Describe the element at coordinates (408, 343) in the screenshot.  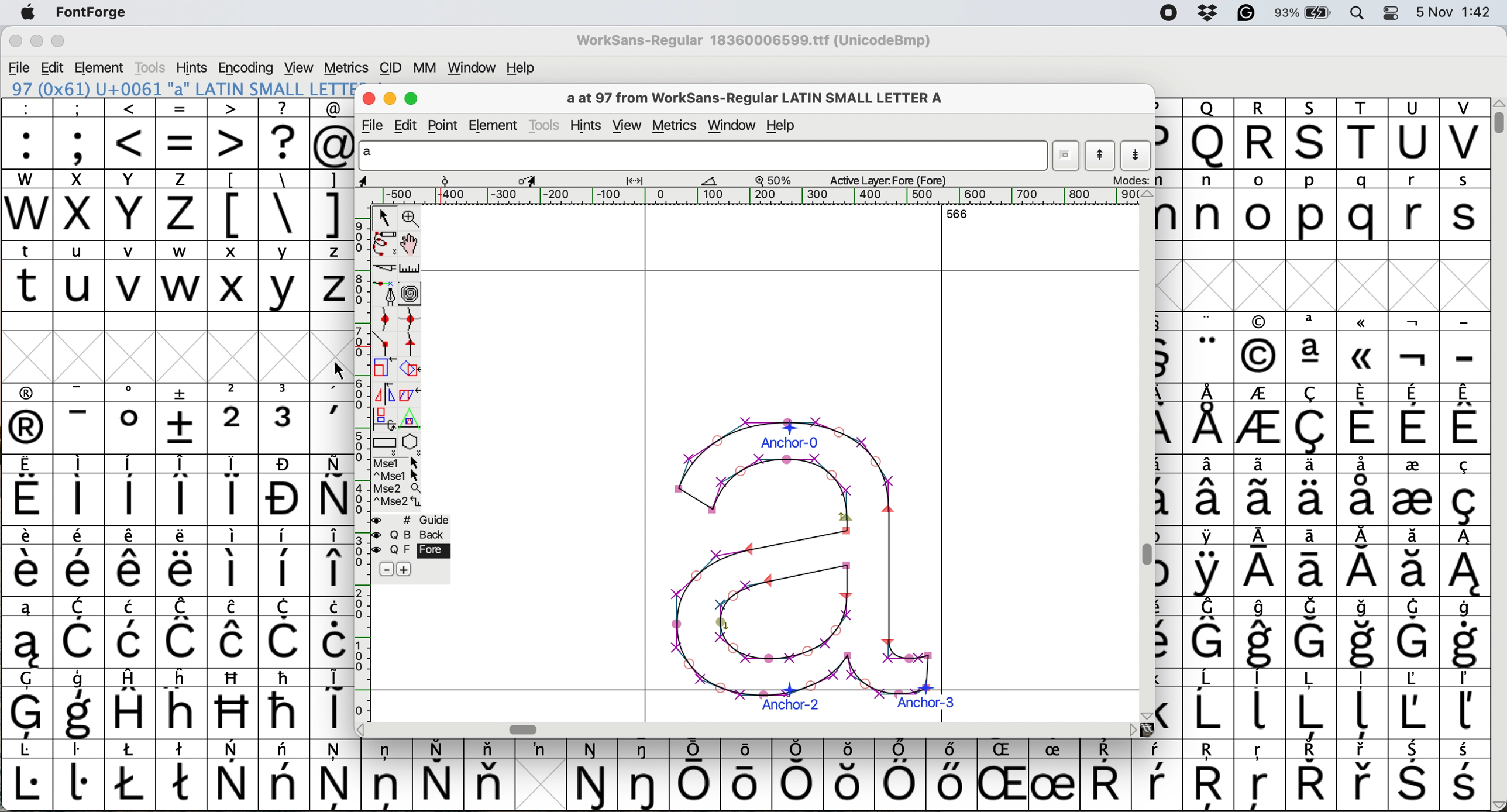
I see `add a tangent point` at that location.